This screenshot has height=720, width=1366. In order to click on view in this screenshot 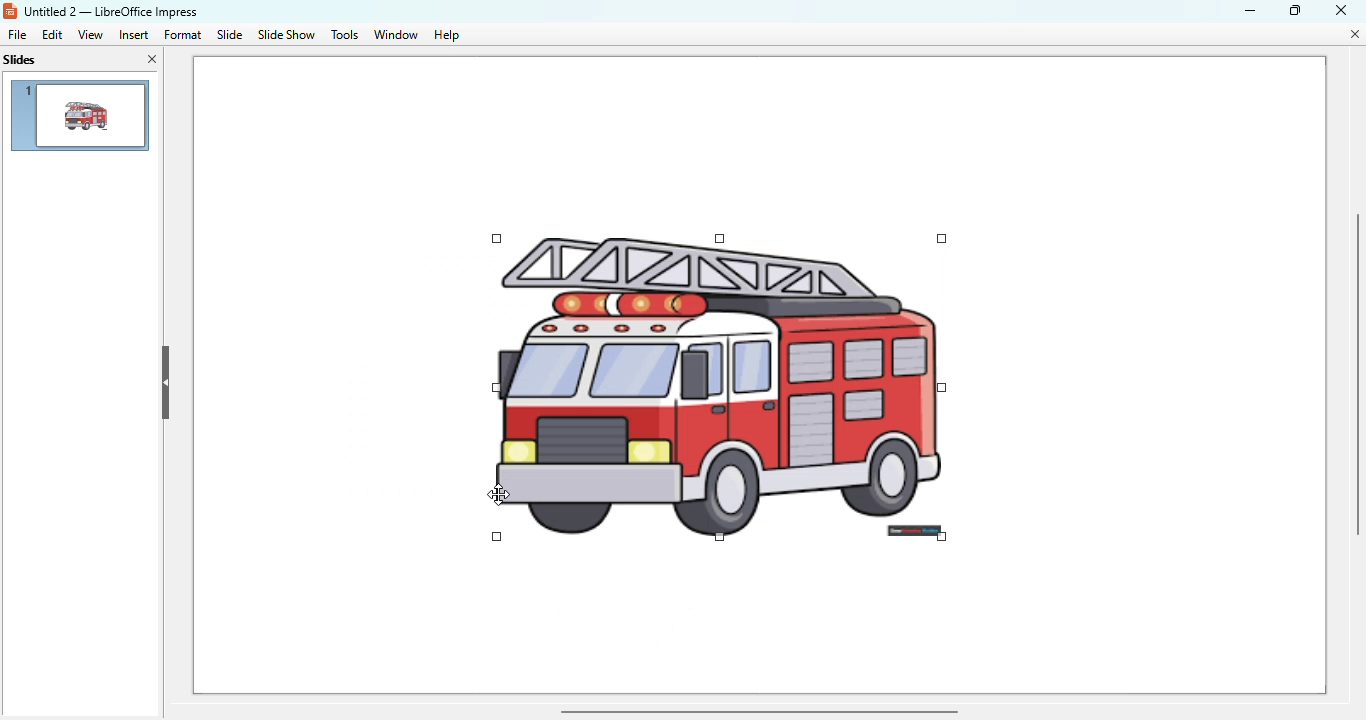, I will do `click(90, 34)`.